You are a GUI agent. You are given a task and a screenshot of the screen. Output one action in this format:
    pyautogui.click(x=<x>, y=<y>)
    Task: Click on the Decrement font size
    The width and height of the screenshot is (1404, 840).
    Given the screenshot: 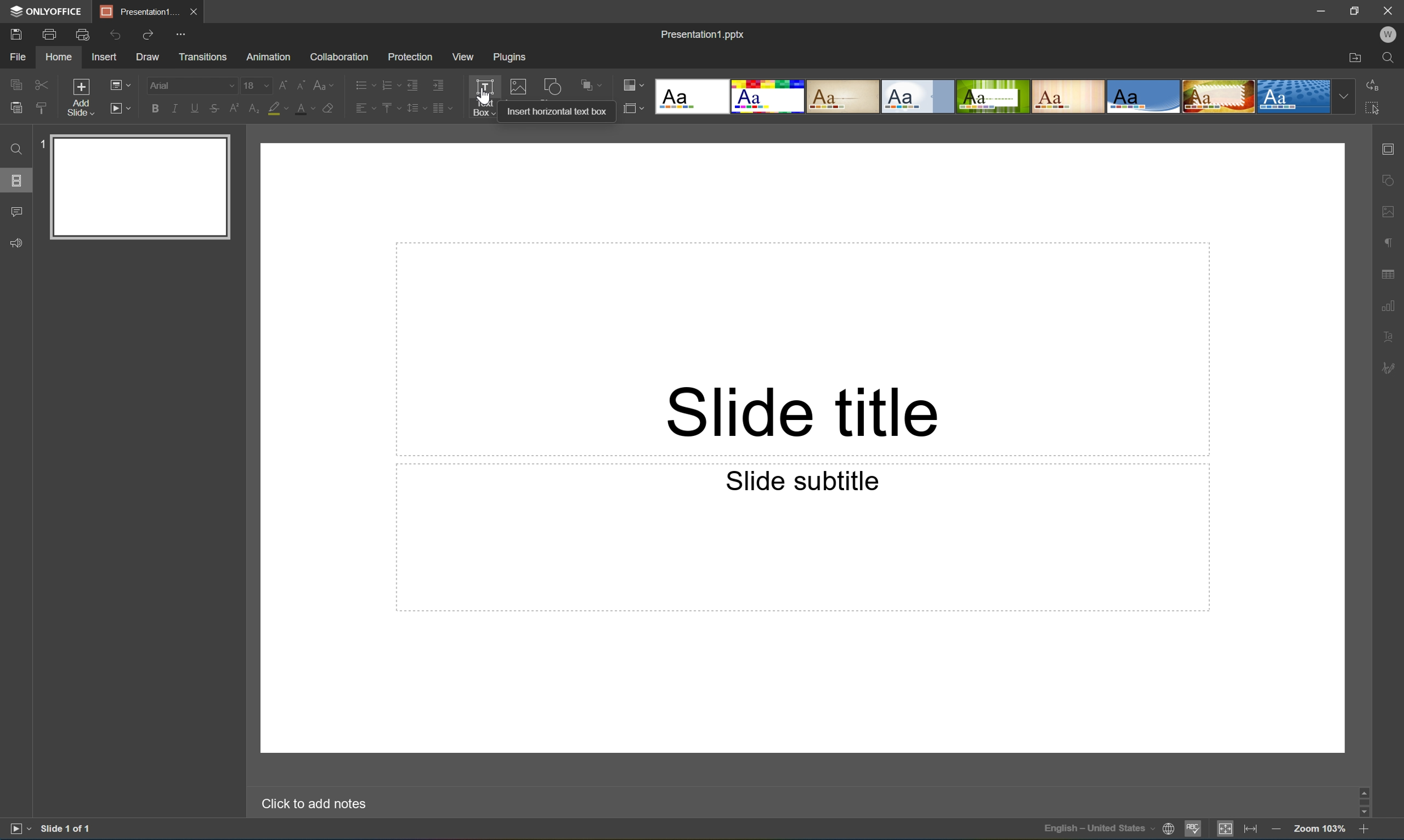 What is the action you would take?
    pyautogui.click(x=300, y=83)
    